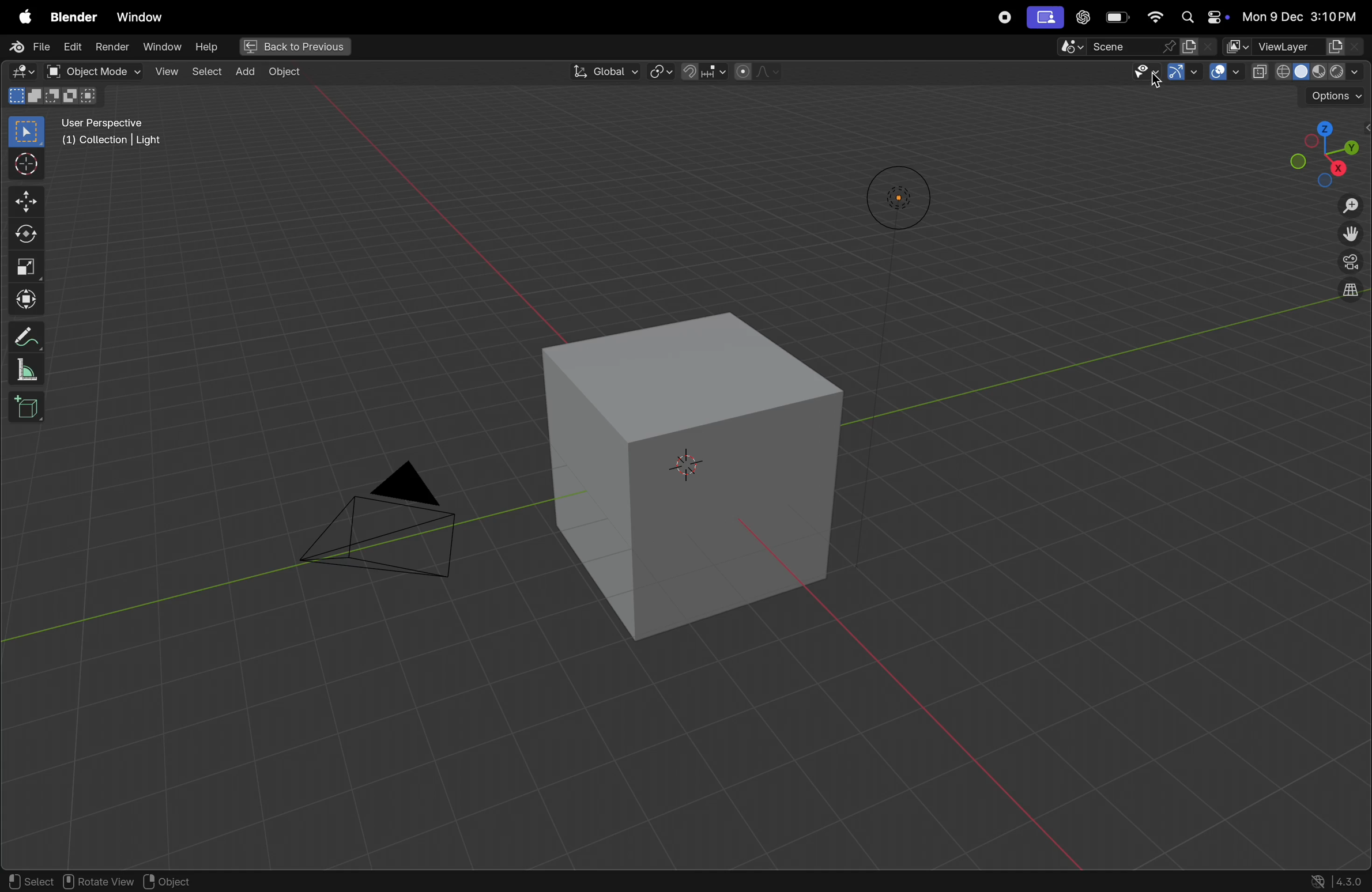 This screenshot has width=1372, height=892. Describe the element at coordinates (284, 74) in the screenshot. I see `object` at that location.